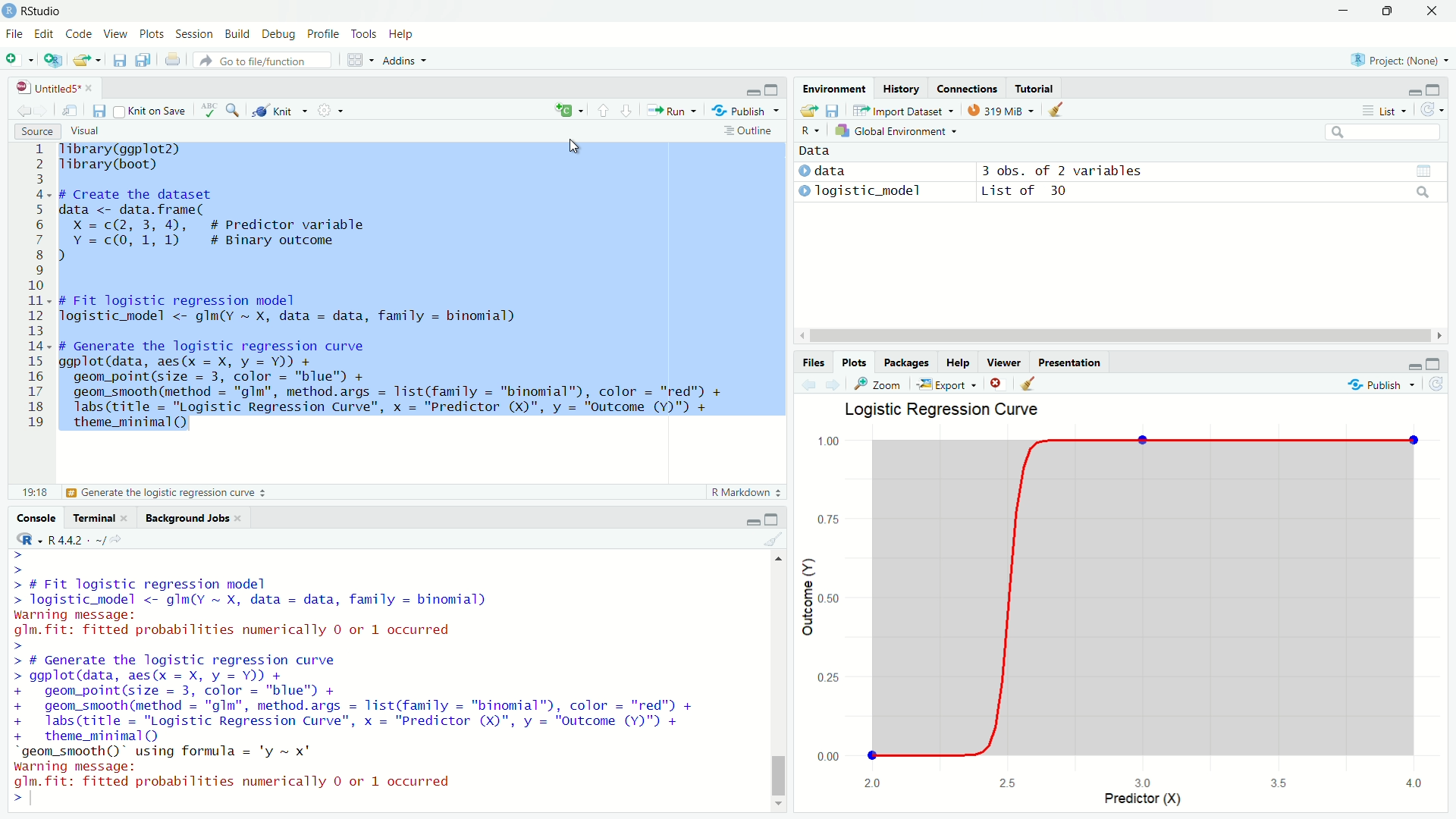  What do you see at coordinates (89, 89) in the screenshot?
I see `close` at bounding box center [89, 89].